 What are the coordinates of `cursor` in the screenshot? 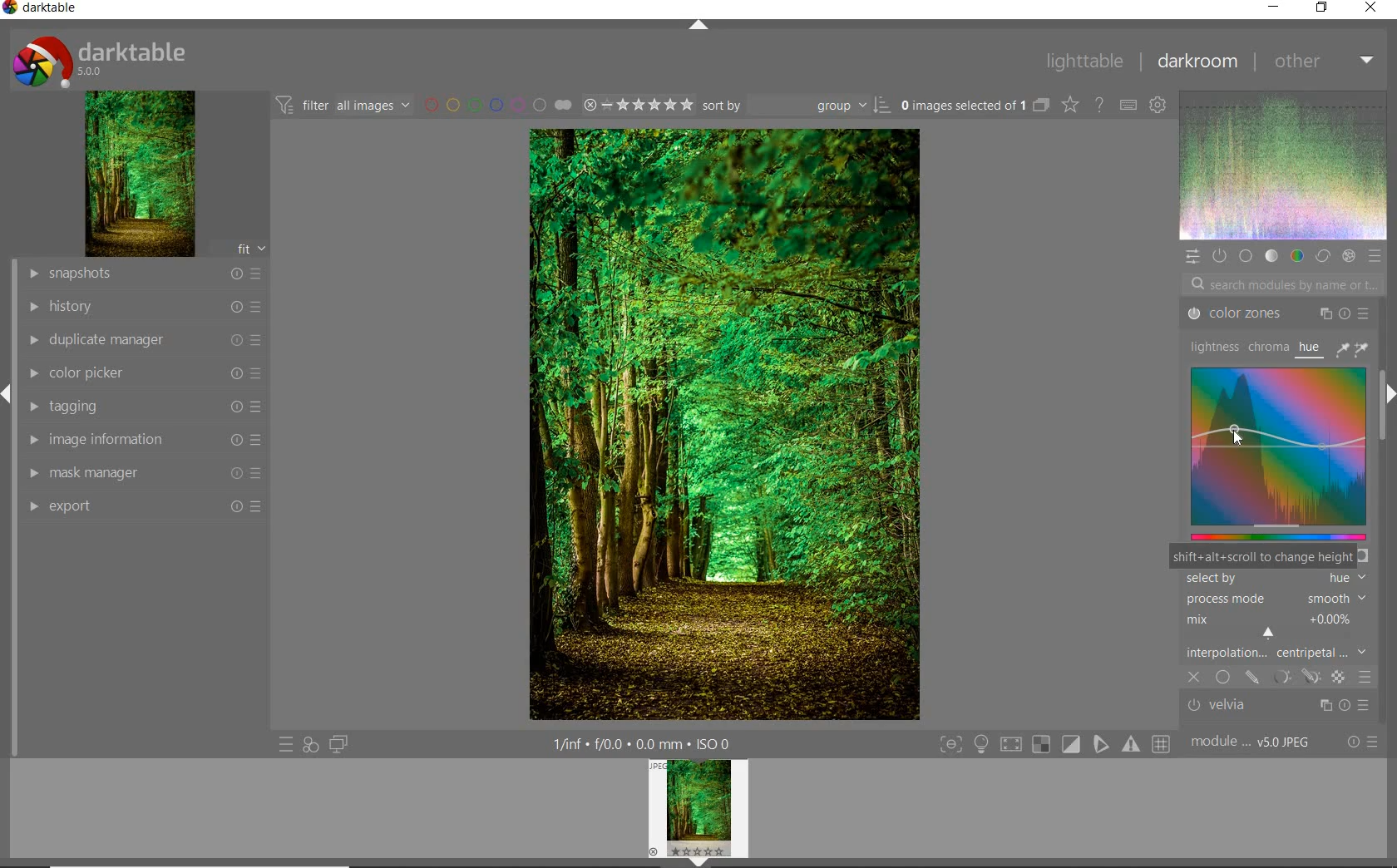 It's located at (1240, 441).